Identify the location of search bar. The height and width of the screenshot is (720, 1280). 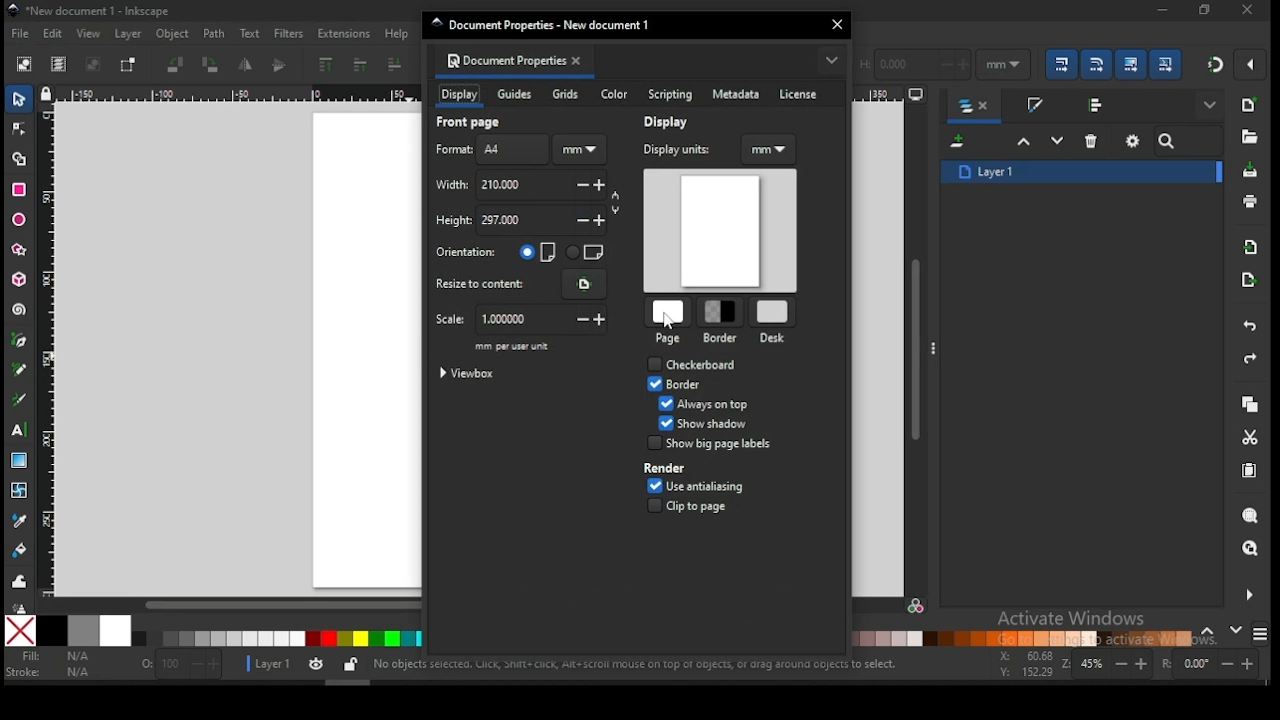
(1189, 141).